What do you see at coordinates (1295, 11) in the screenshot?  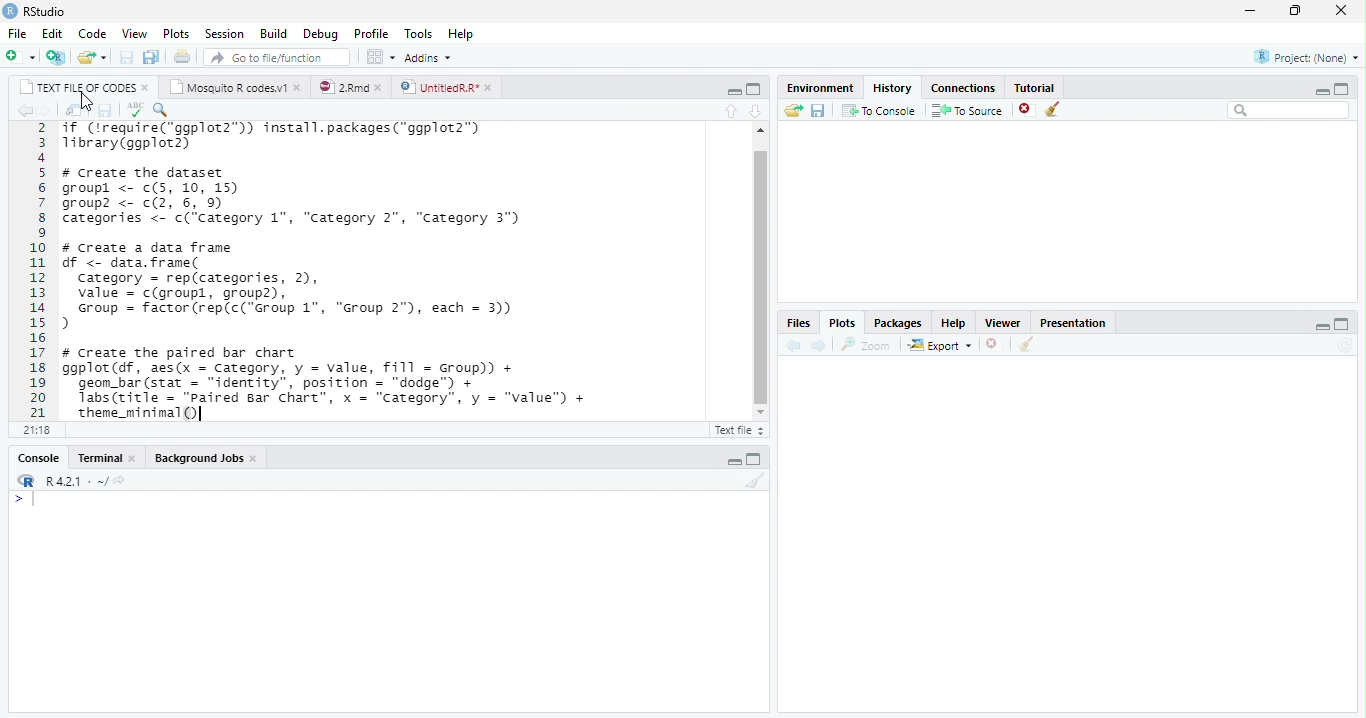 I see `maximize` at bounding box center [1295, 11].